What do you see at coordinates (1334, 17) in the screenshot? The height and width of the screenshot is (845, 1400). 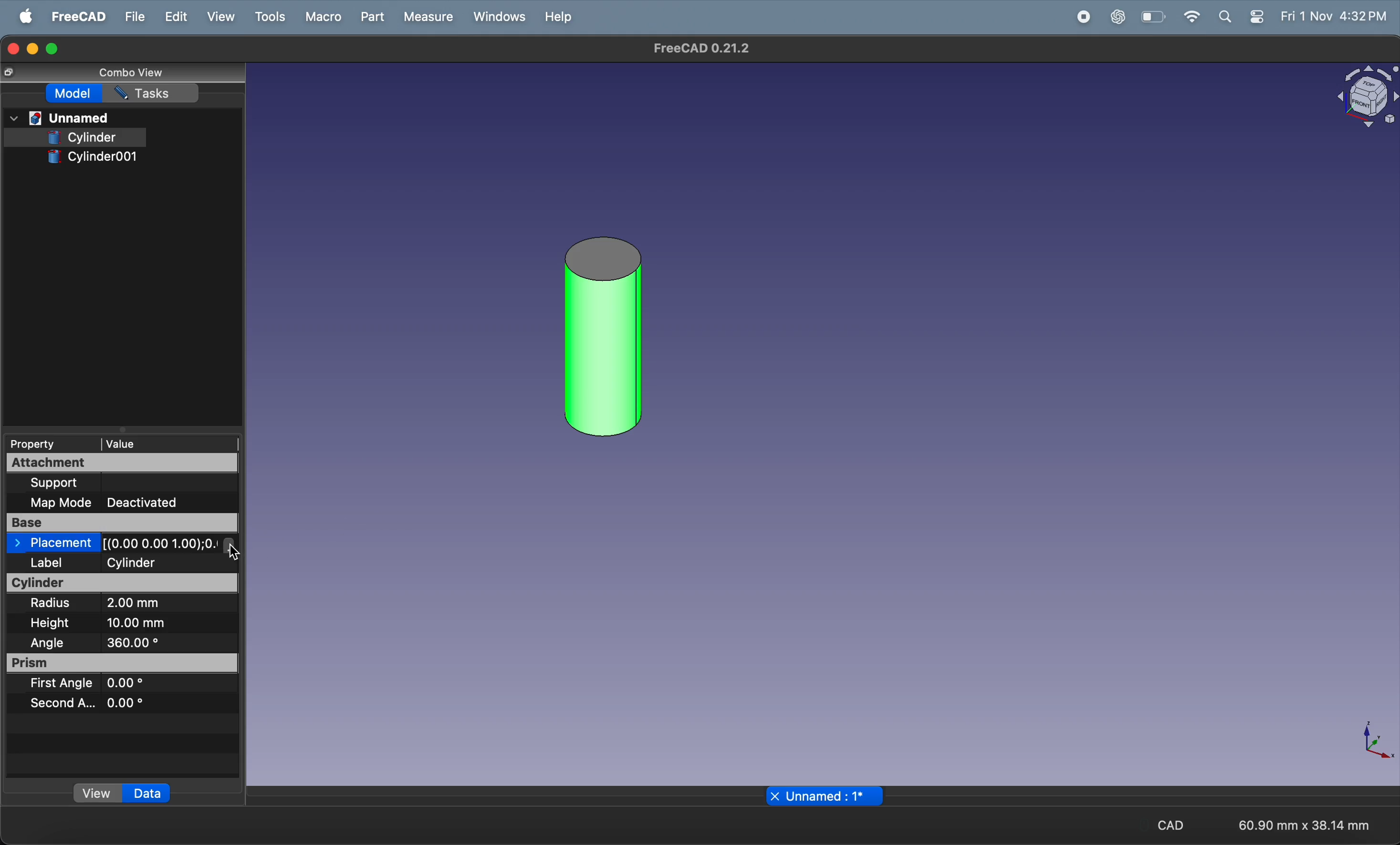 I see `Fri 1 Nov 4:32 PM` at bounding box center [1334, 17].